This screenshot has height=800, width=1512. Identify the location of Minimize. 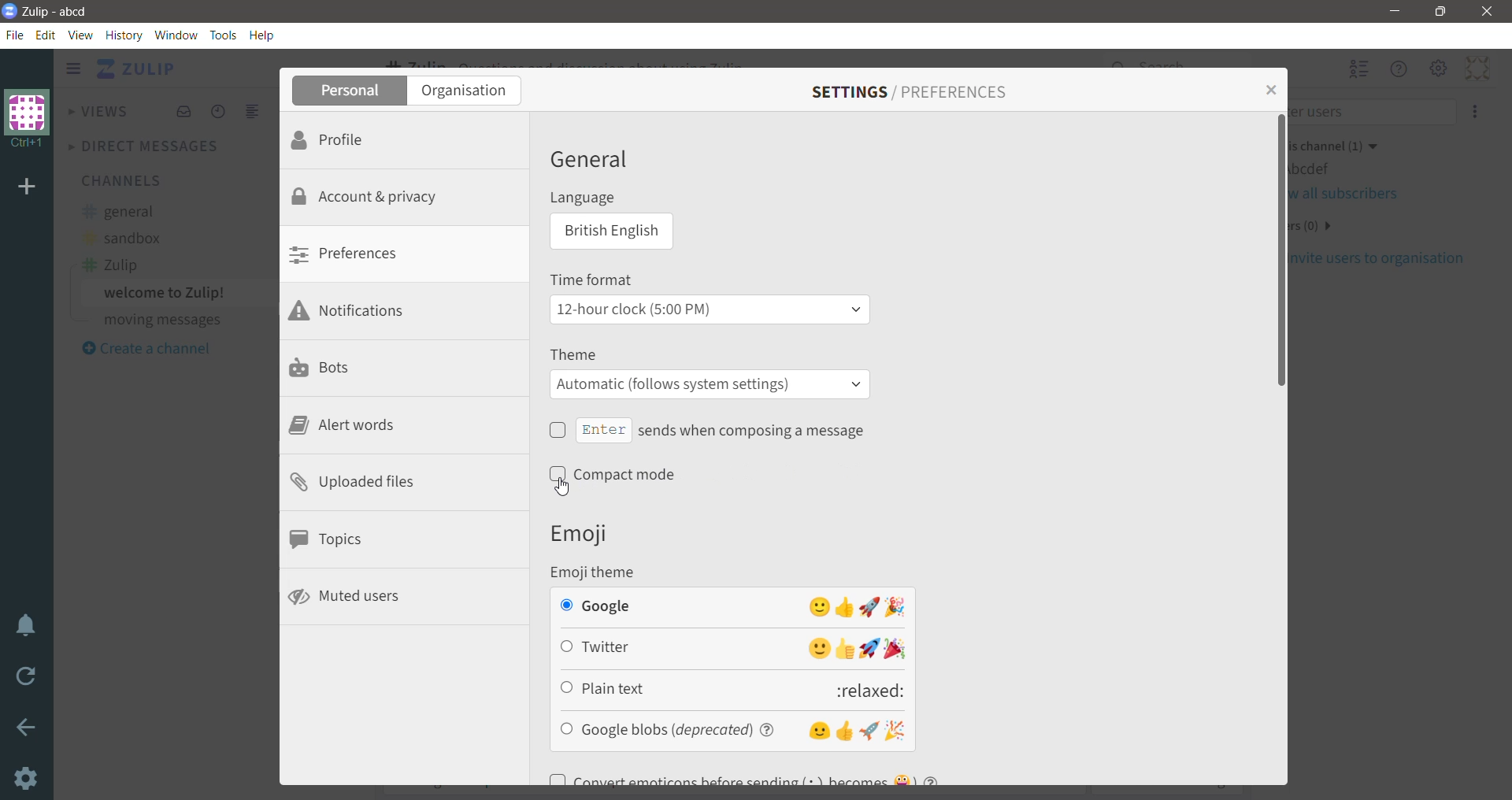
(1396, 11).